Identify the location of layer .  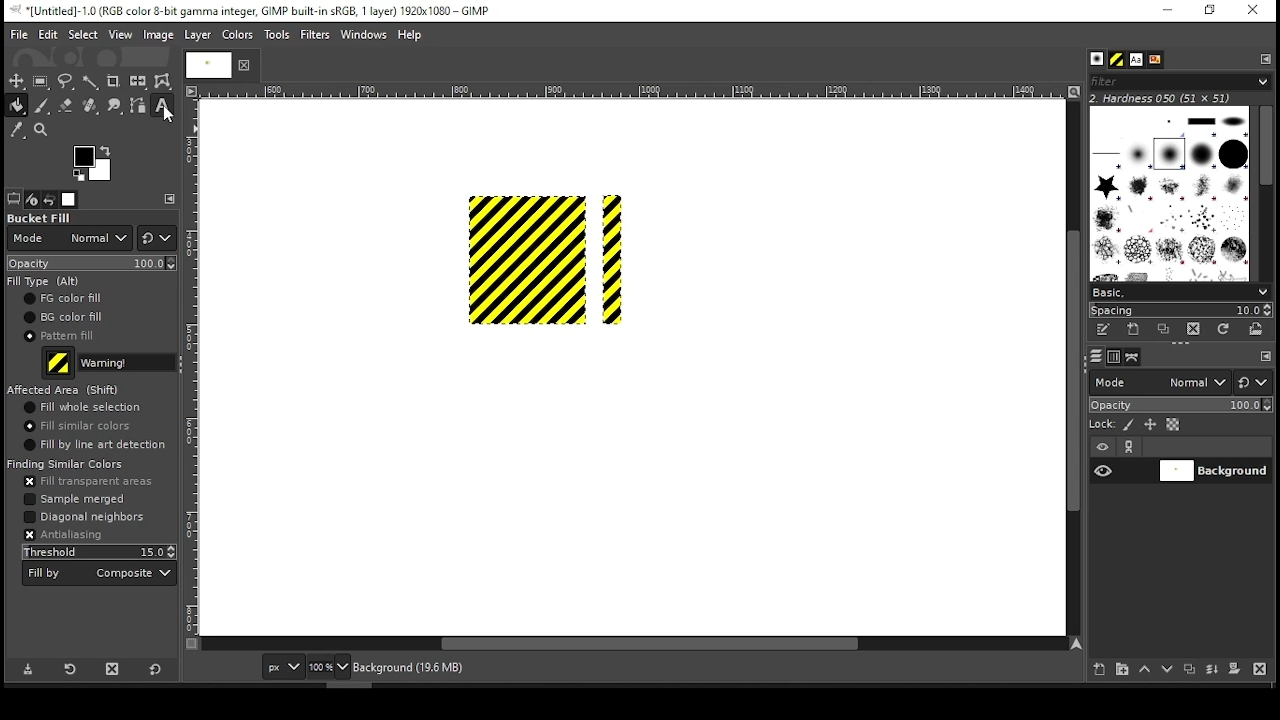
(1213, 471).